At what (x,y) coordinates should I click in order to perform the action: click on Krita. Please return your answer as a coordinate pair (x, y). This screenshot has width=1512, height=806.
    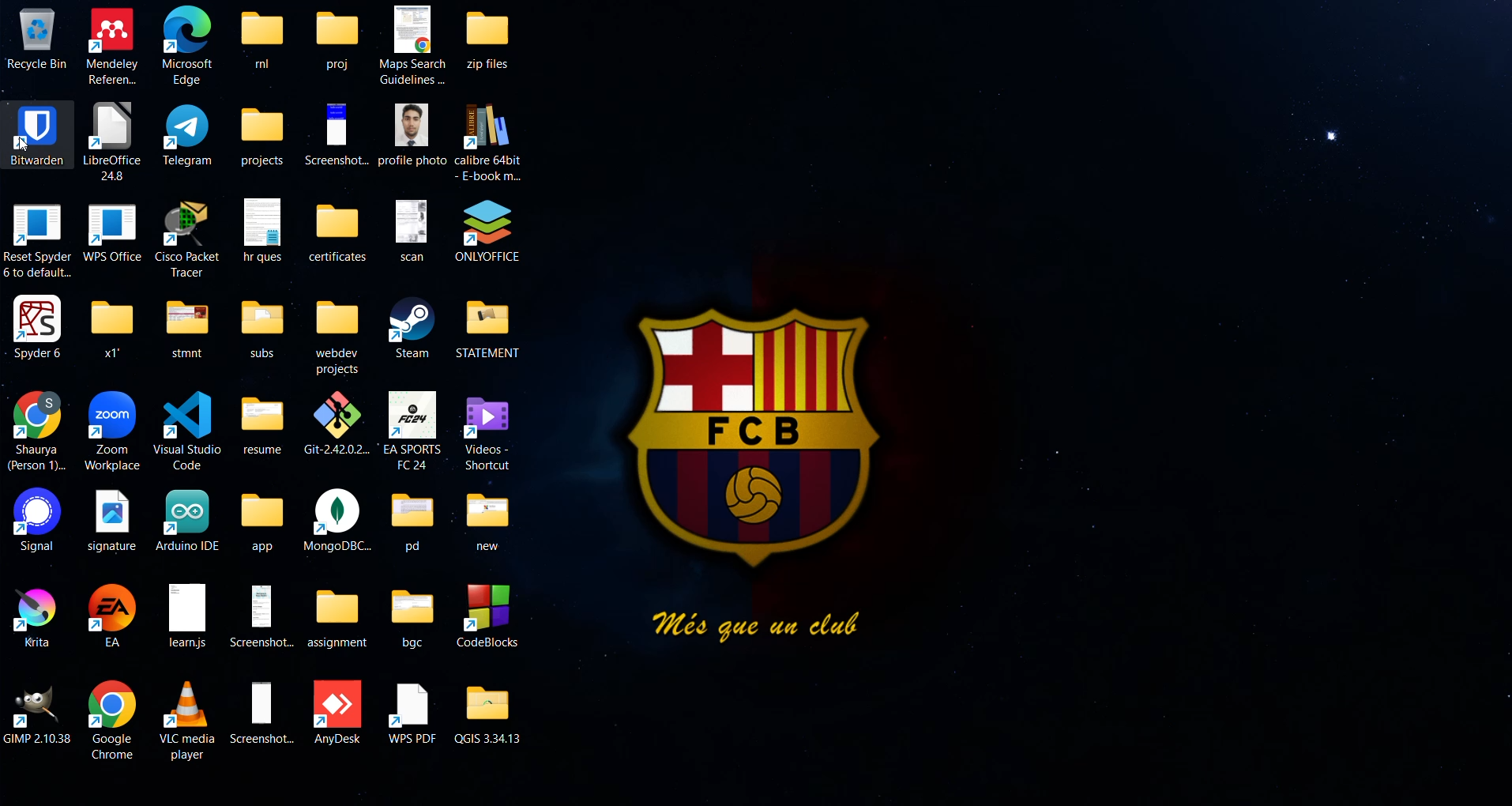
    Looking at the image, I should click on (32, 615).